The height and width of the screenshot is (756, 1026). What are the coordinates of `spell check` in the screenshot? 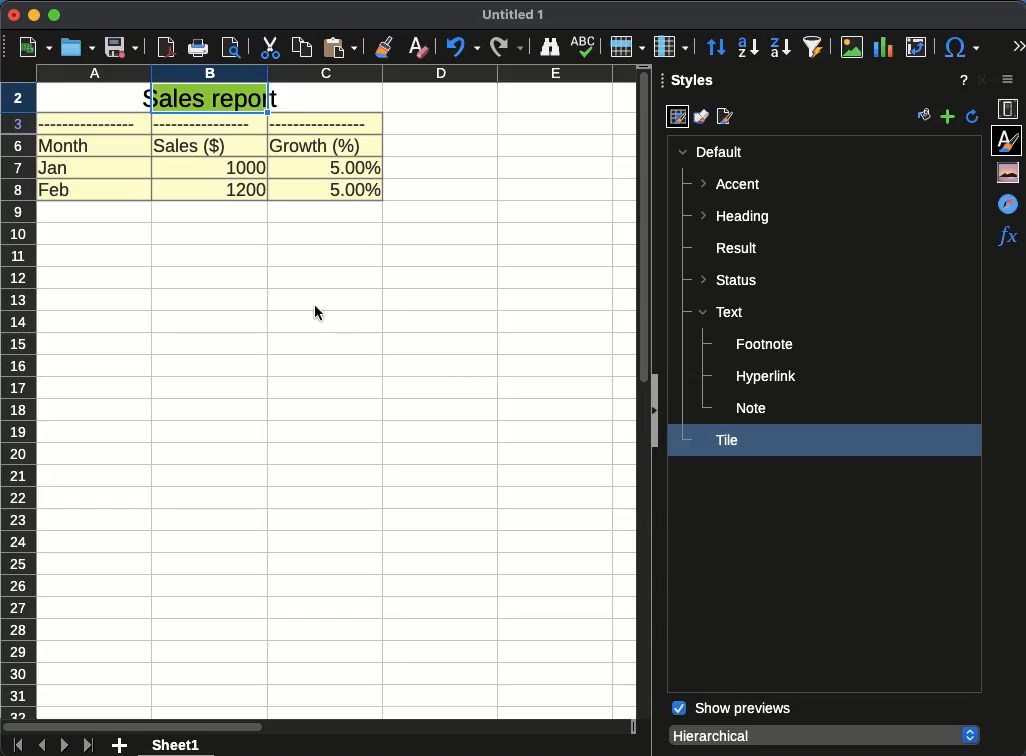 It's located at (582, 46).